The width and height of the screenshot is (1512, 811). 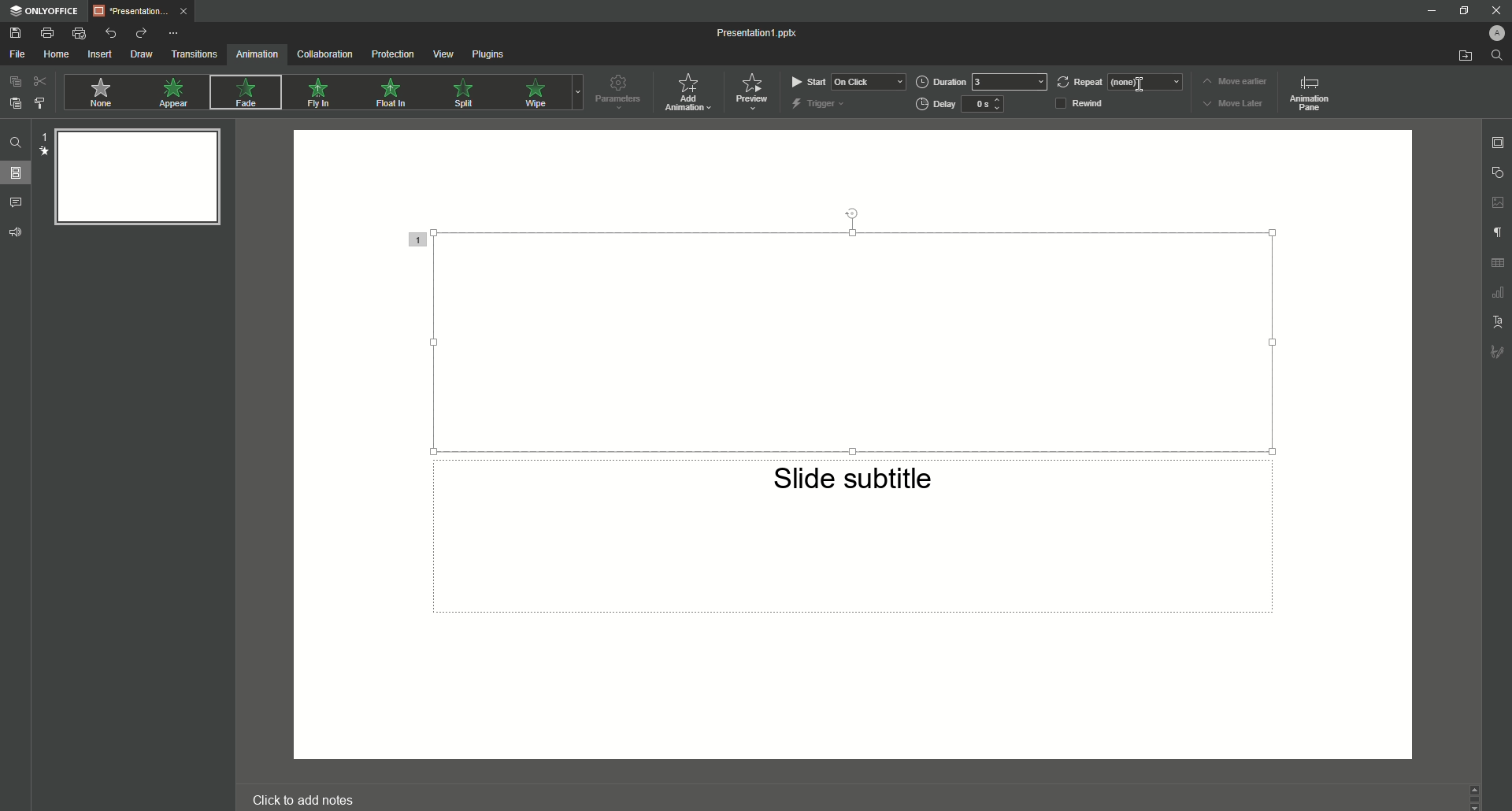 What do you see at coordinates (845, 81) in the screenshot?
I see `Start` at bounding box center [845, 81].